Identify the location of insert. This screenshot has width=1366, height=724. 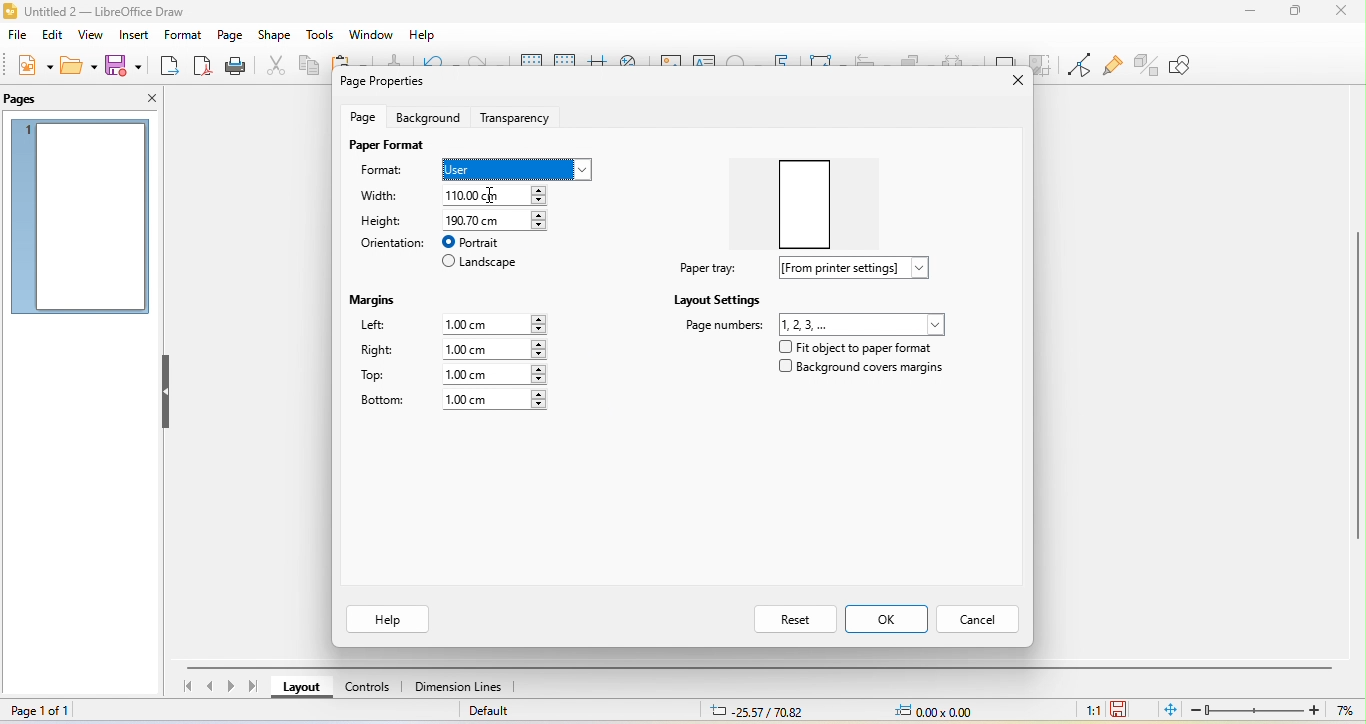
(132, 36).